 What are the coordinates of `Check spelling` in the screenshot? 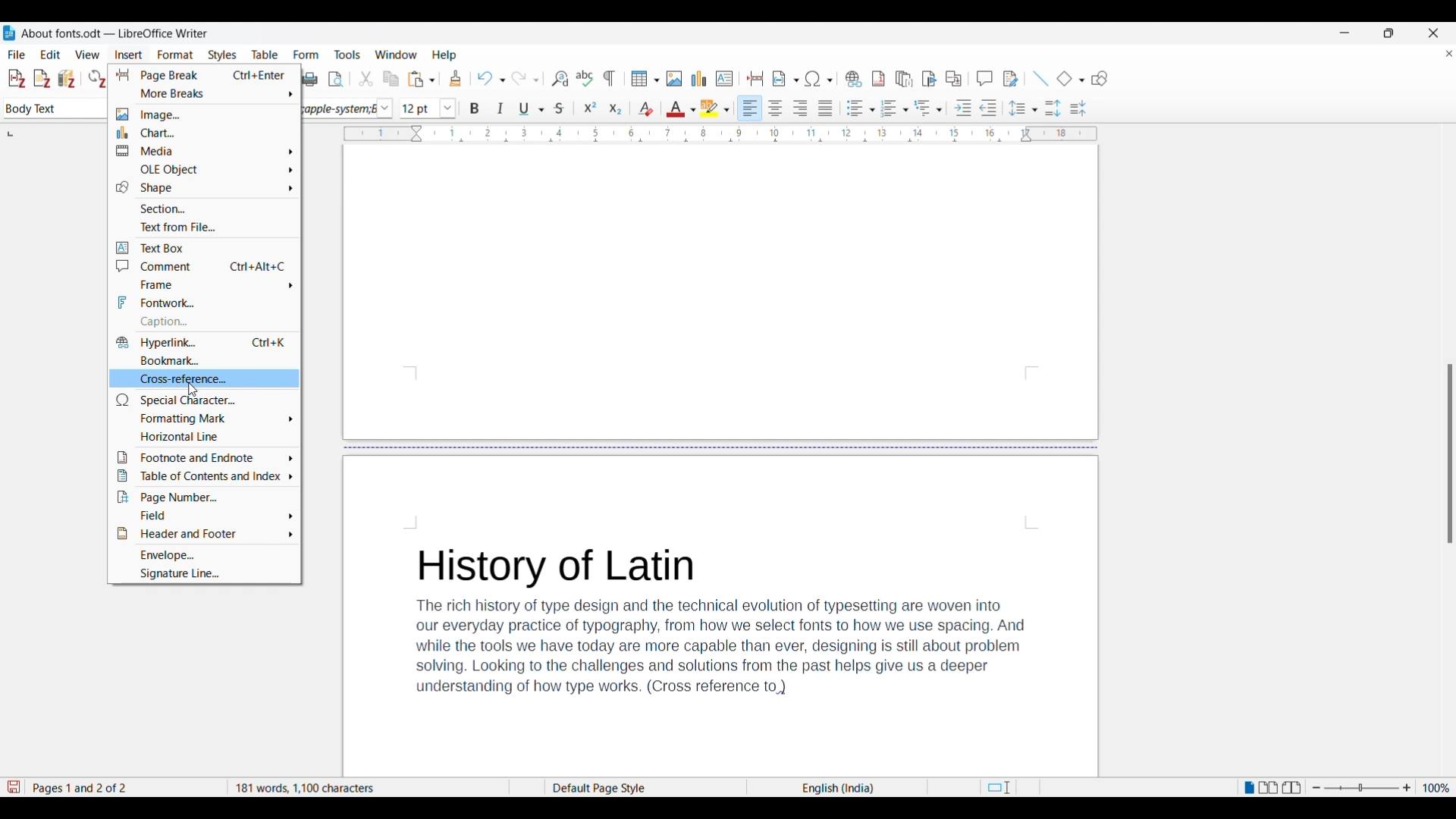 It's located at (584, 78).